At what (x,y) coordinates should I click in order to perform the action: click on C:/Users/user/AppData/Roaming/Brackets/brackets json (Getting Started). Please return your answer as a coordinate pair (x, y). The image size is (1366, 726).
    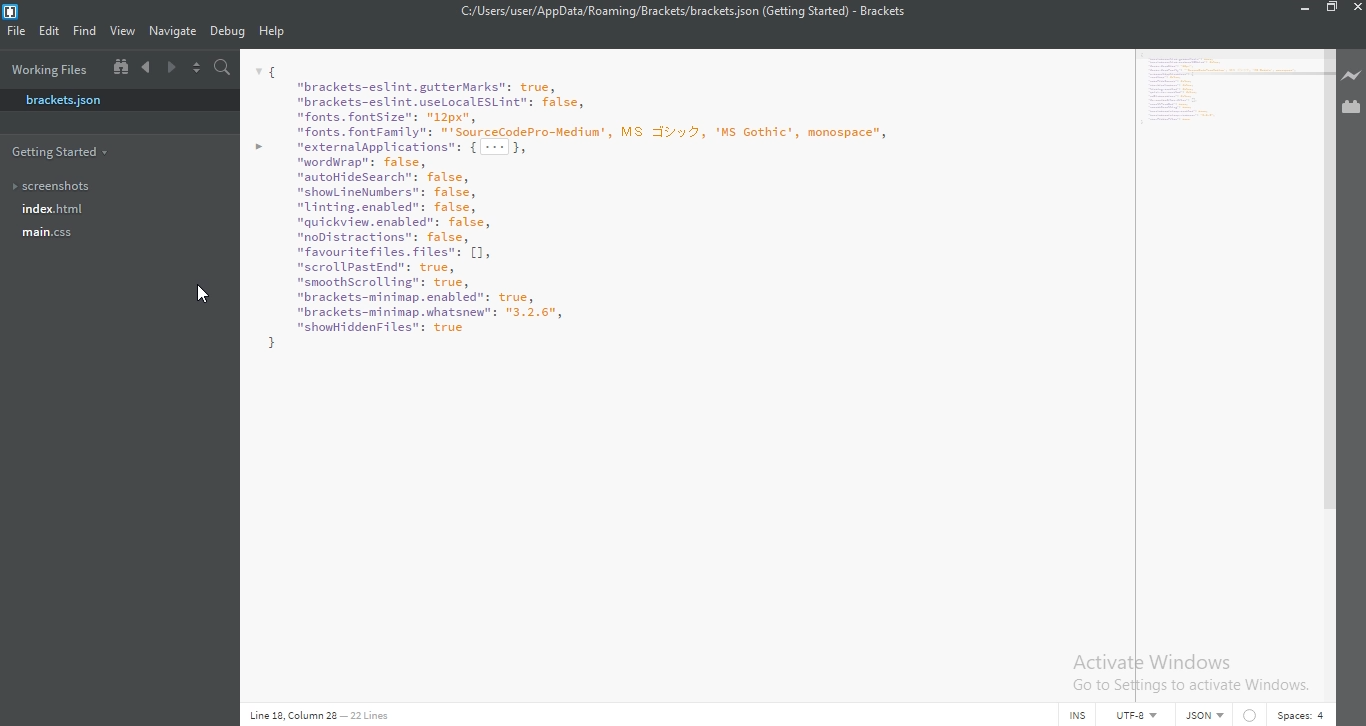
    Looking at the image, I should click on (644, 11).